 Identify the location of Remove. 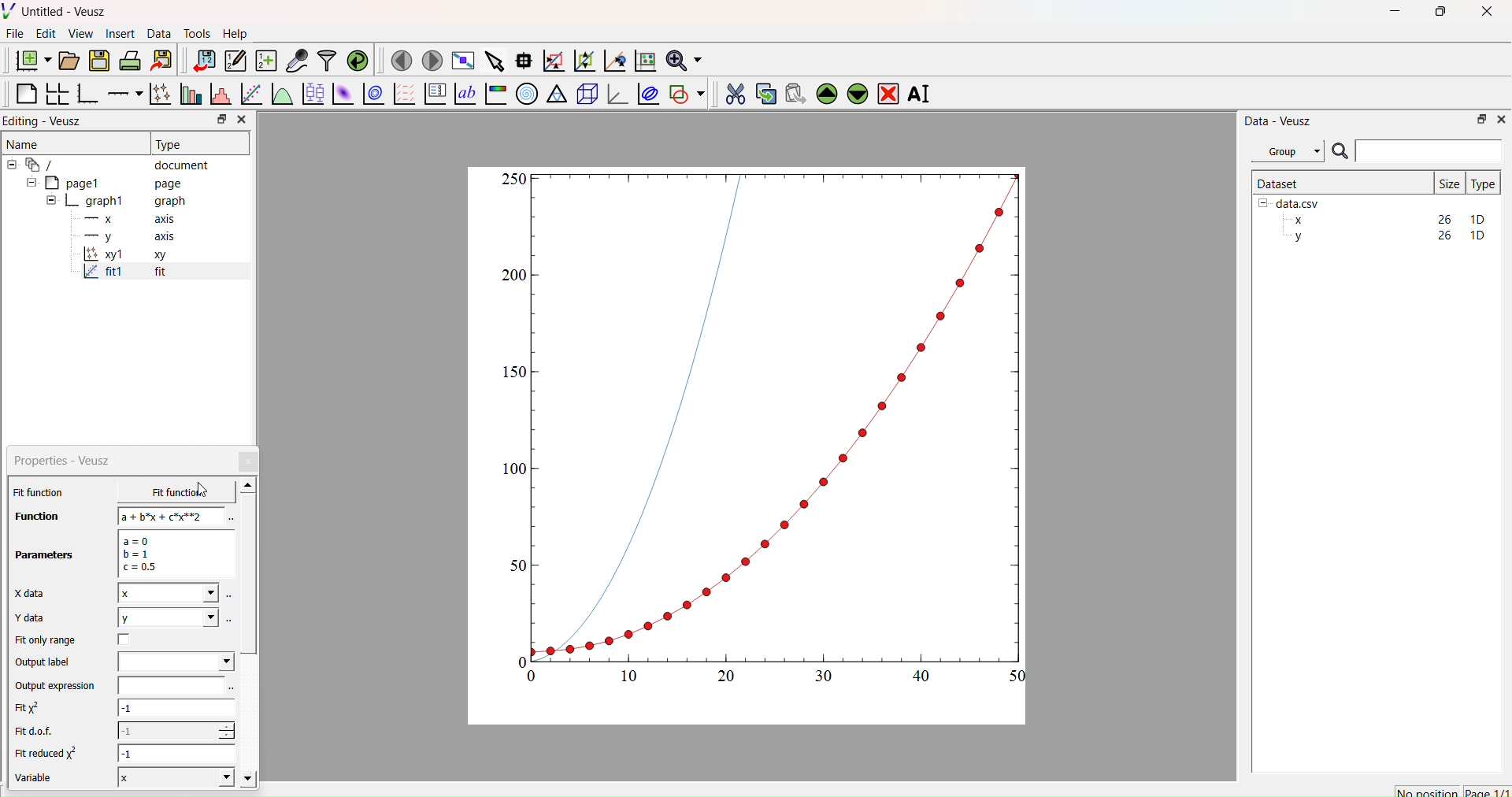
(888, 92).